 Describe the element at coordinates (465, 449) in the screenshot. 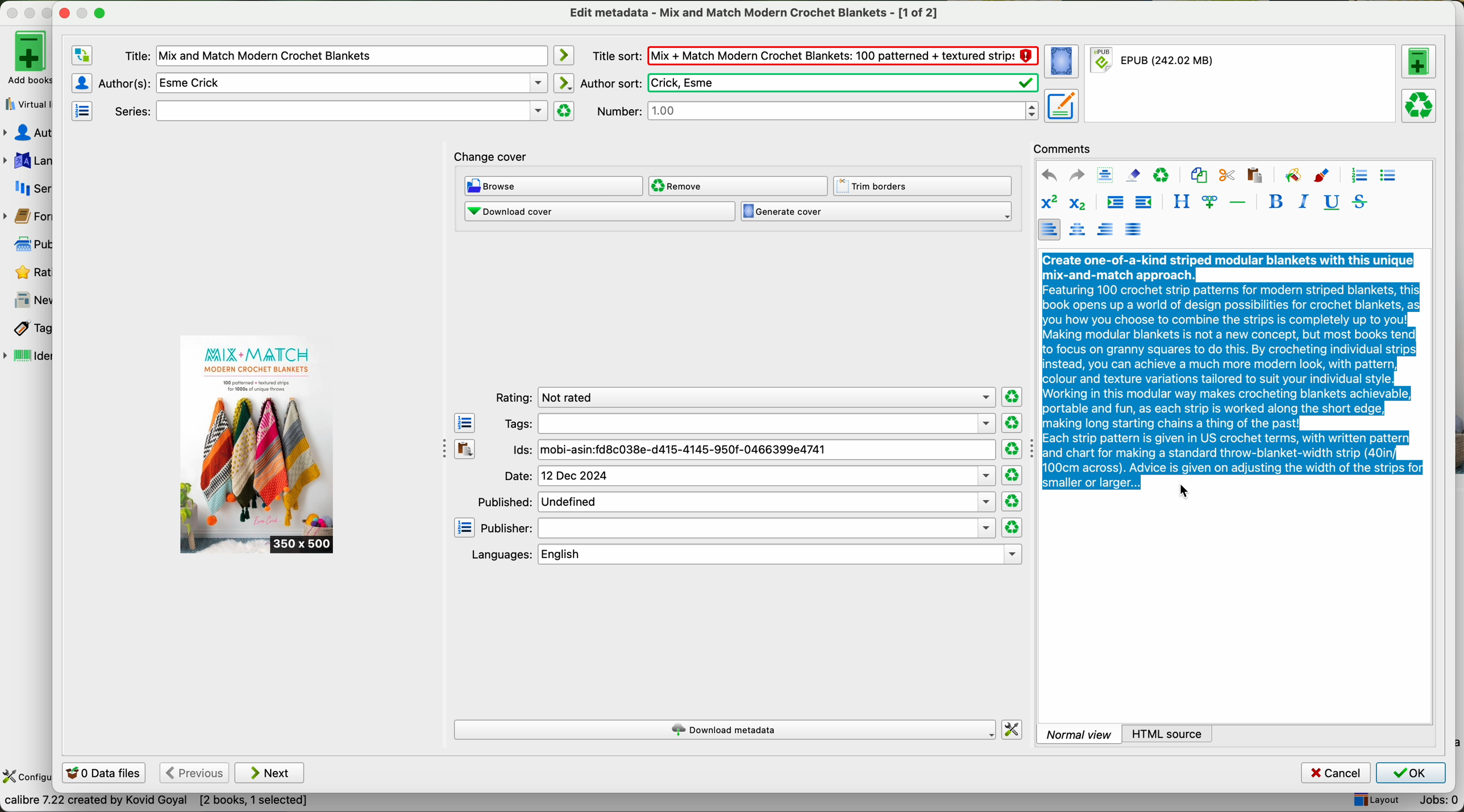

I see `paste the contents of the clipboard` at that location.